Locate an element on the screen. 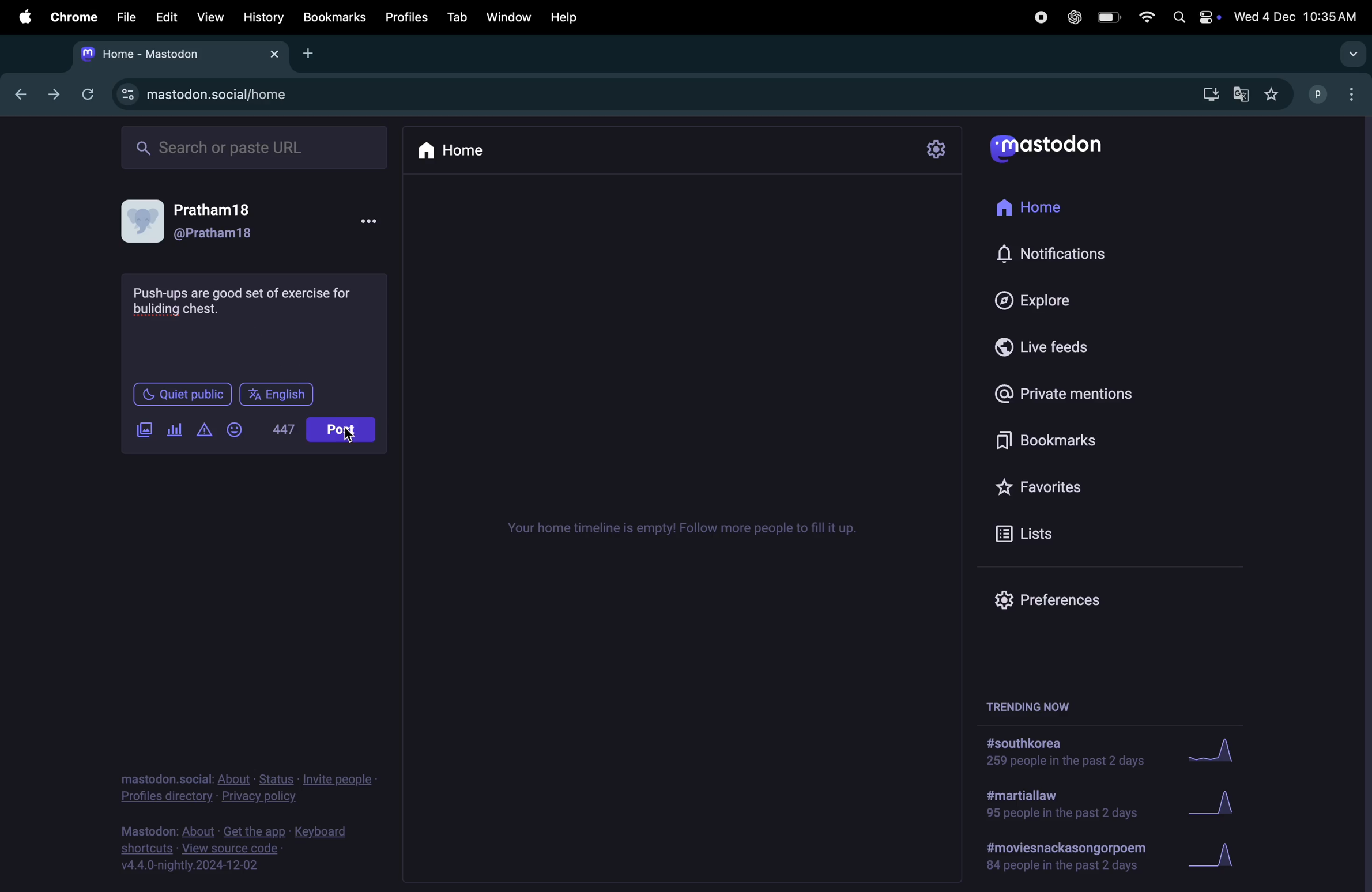  Lists is located at coordinates (1032, 532).